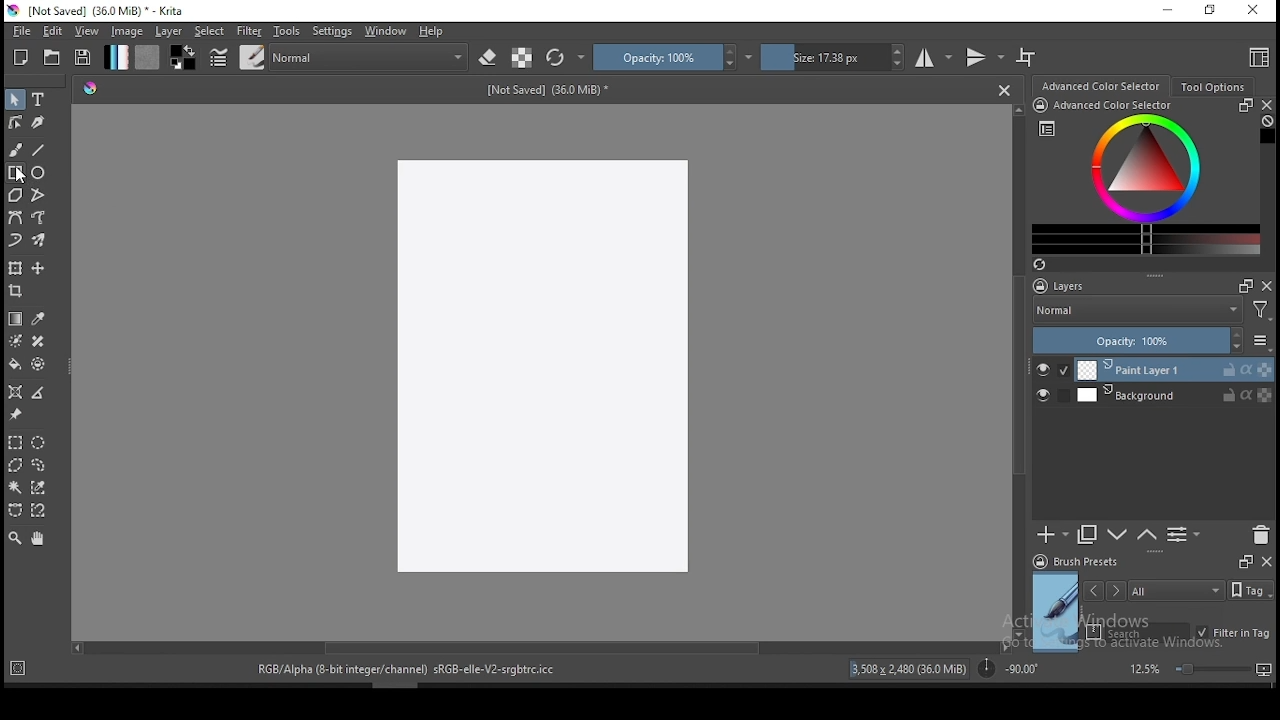  I want to click on Image, so click(541, 367).